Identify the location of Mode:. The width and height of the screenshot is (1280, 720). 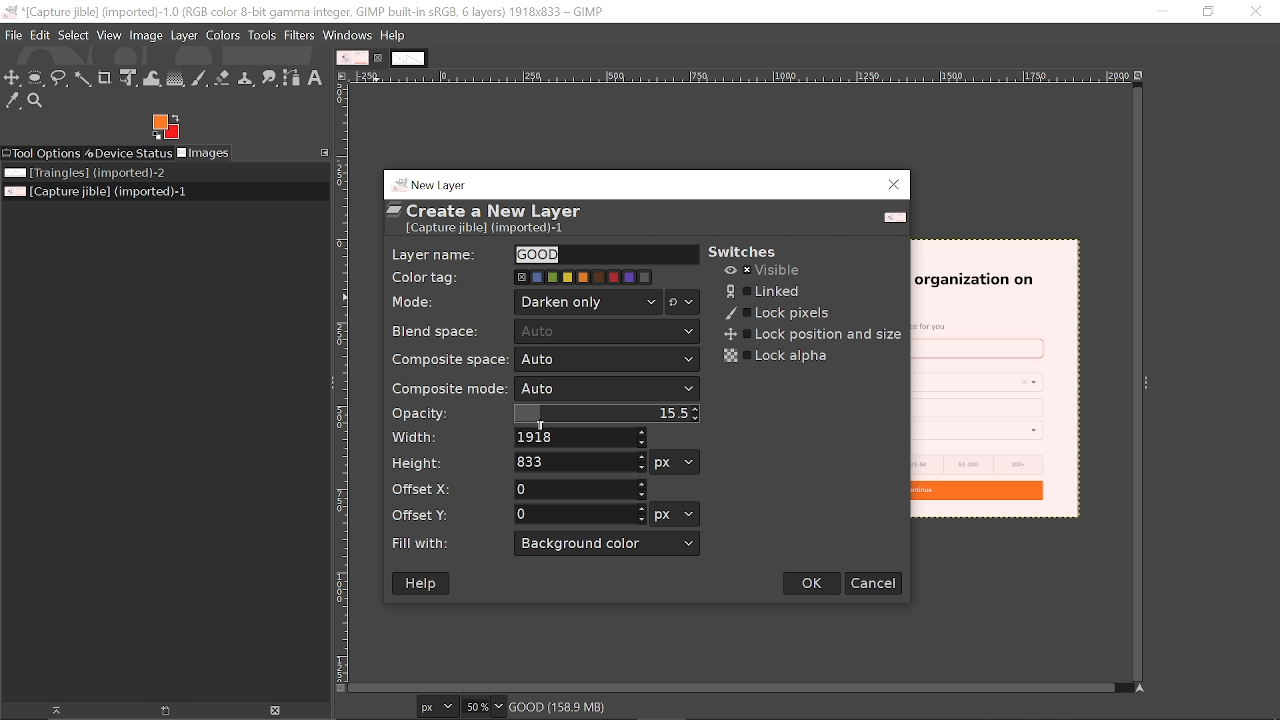
(416, 304).